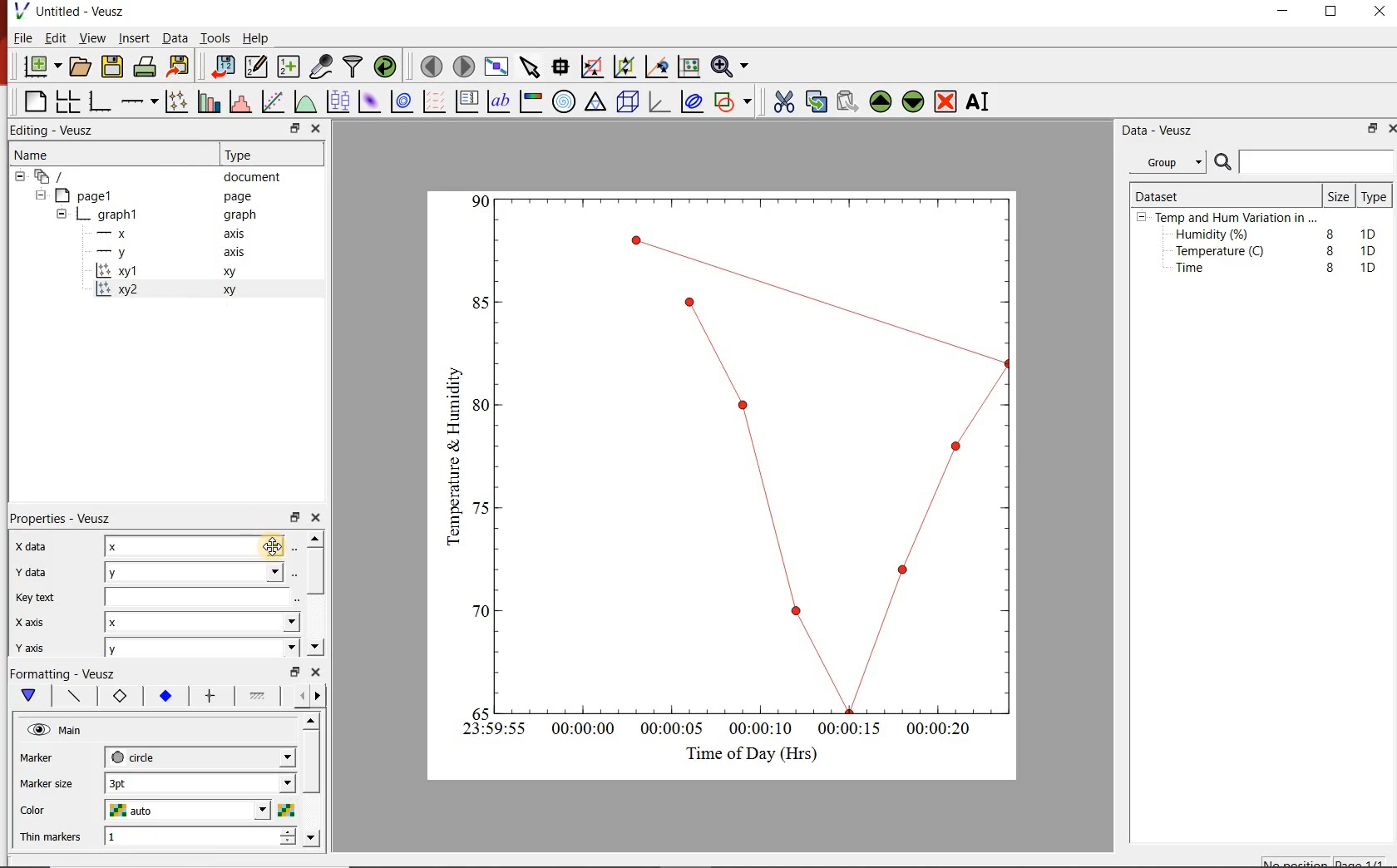 This screenshot has height=868, width=1397. Describe the element at coordinates (1216, 235) in the screenshot. I see `Humidity (%)` at that location.